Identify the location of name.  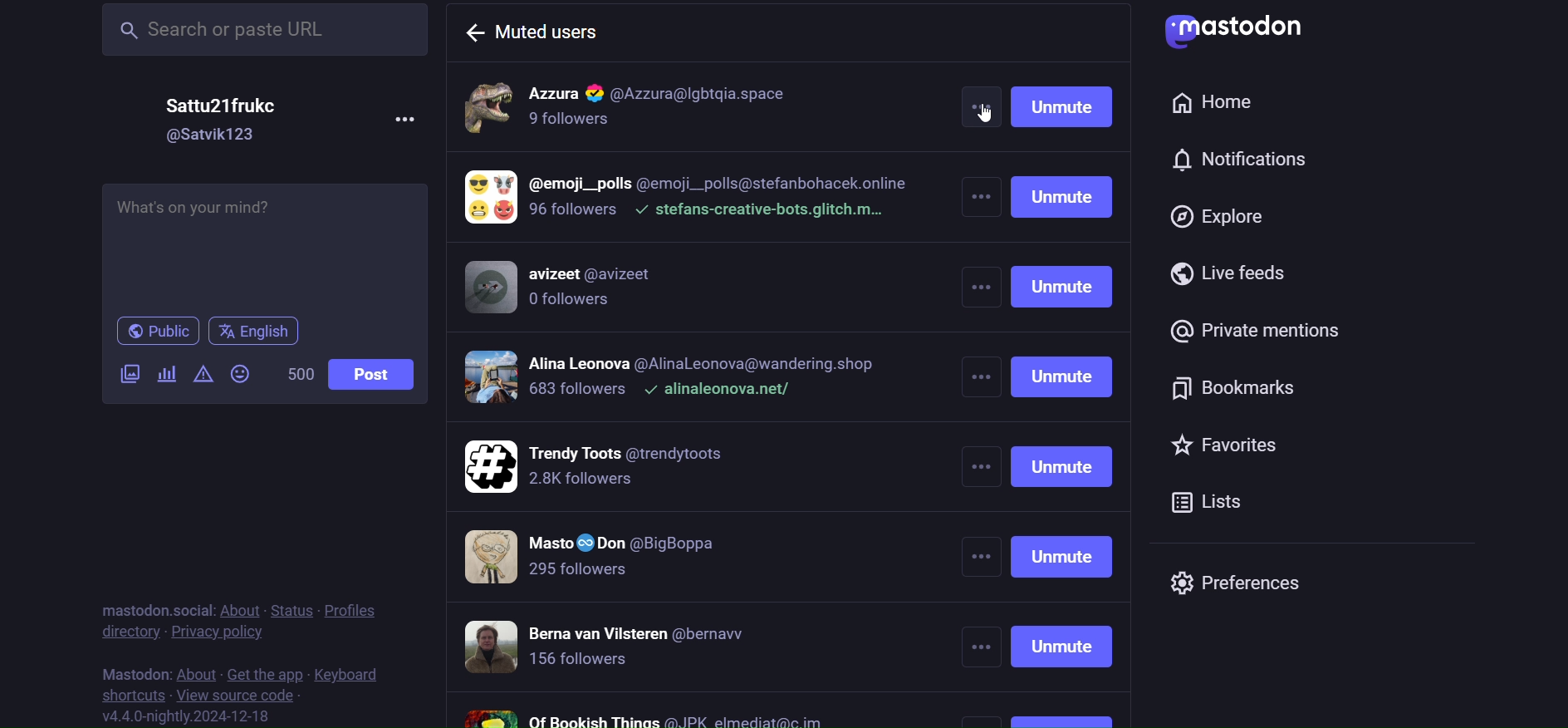
(223, 104).